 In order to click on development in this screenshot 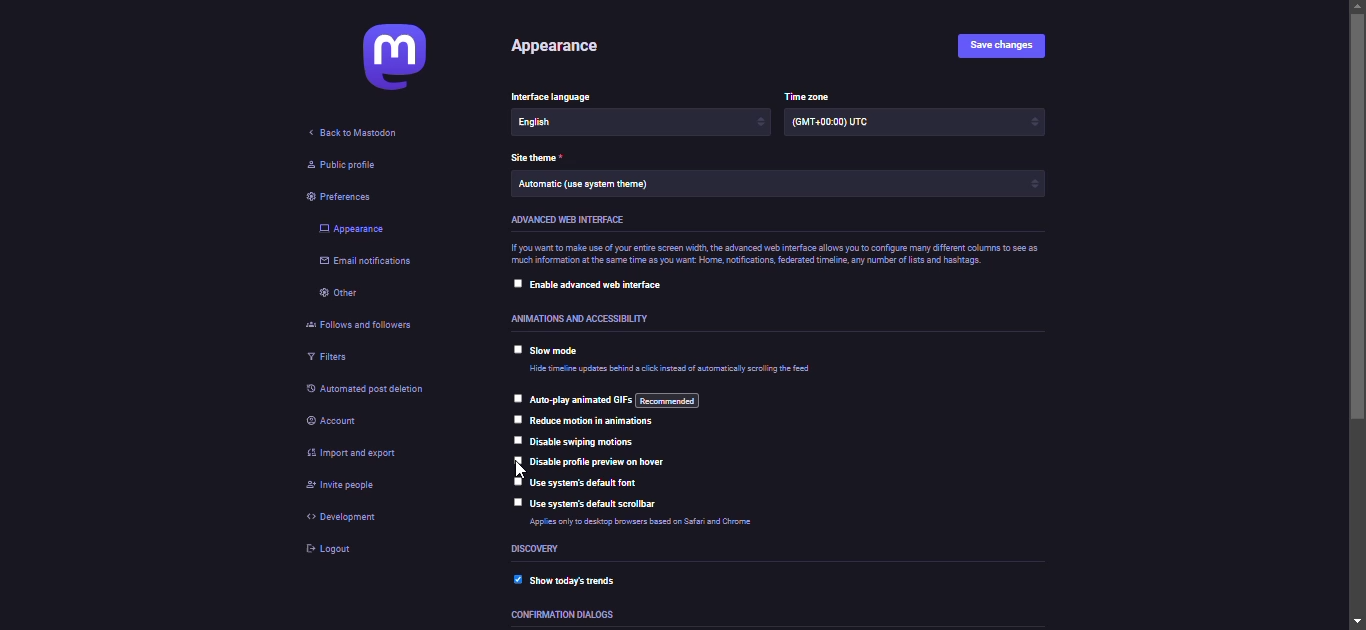, I will do `click(350, 518)`.